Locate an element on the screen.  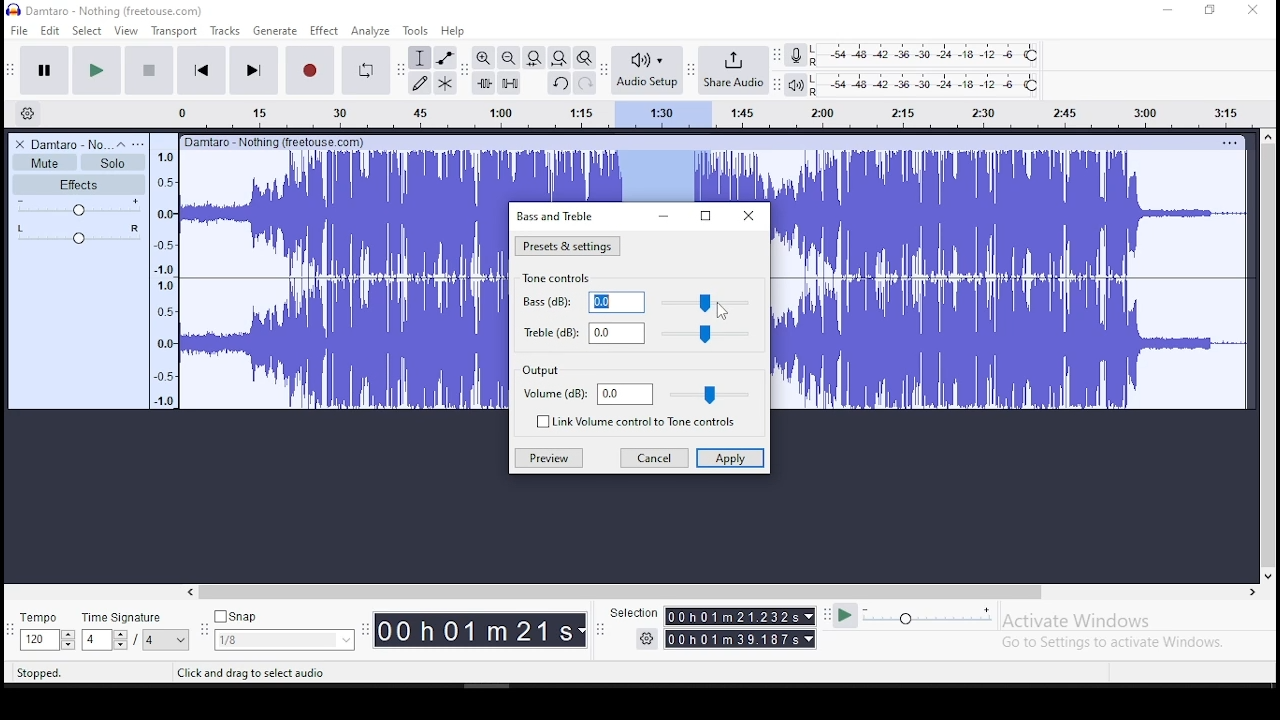
open menu is located at coordinates (138, 144).